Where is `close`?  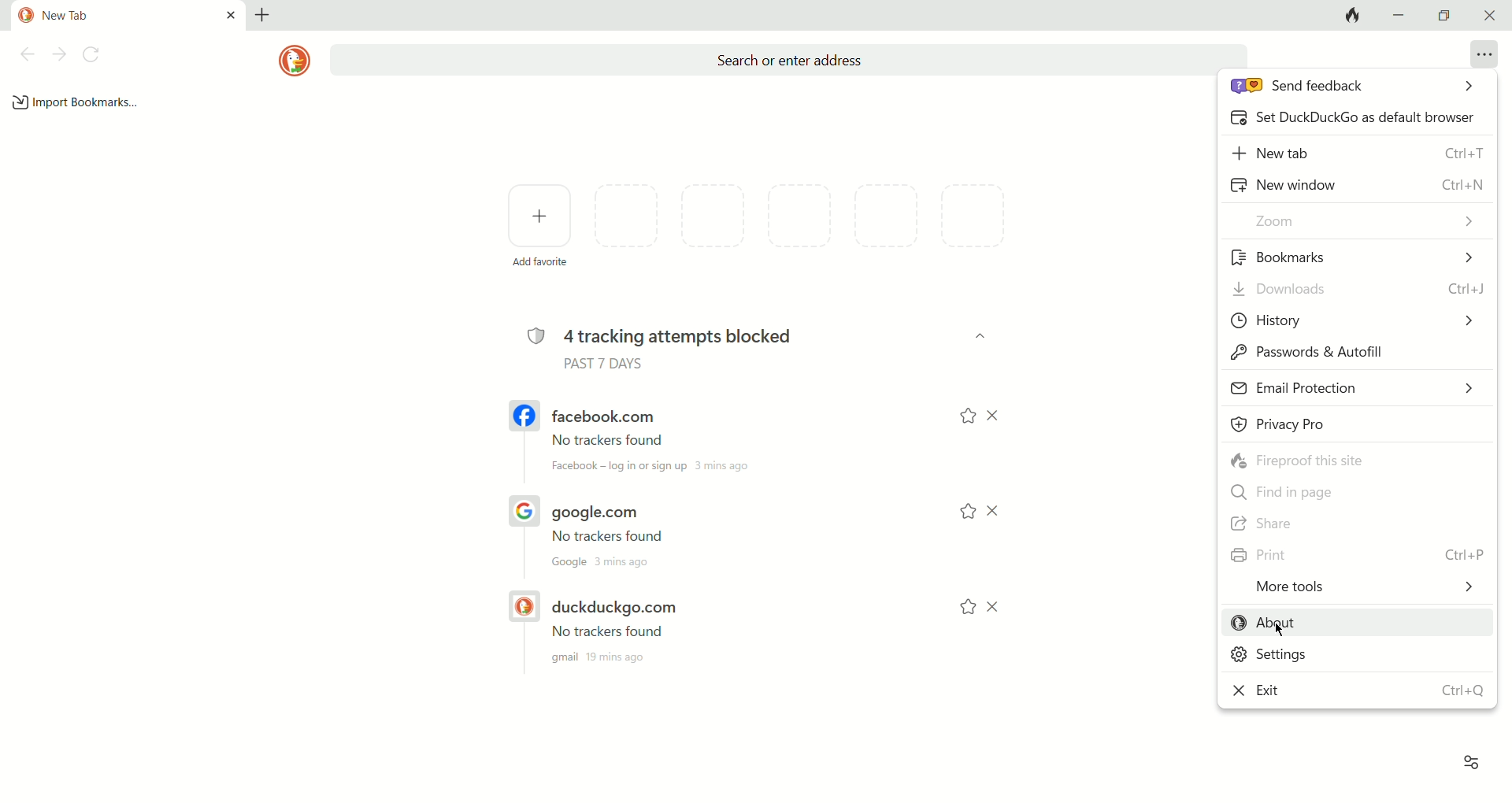 close is located at coordinates (995, 511).